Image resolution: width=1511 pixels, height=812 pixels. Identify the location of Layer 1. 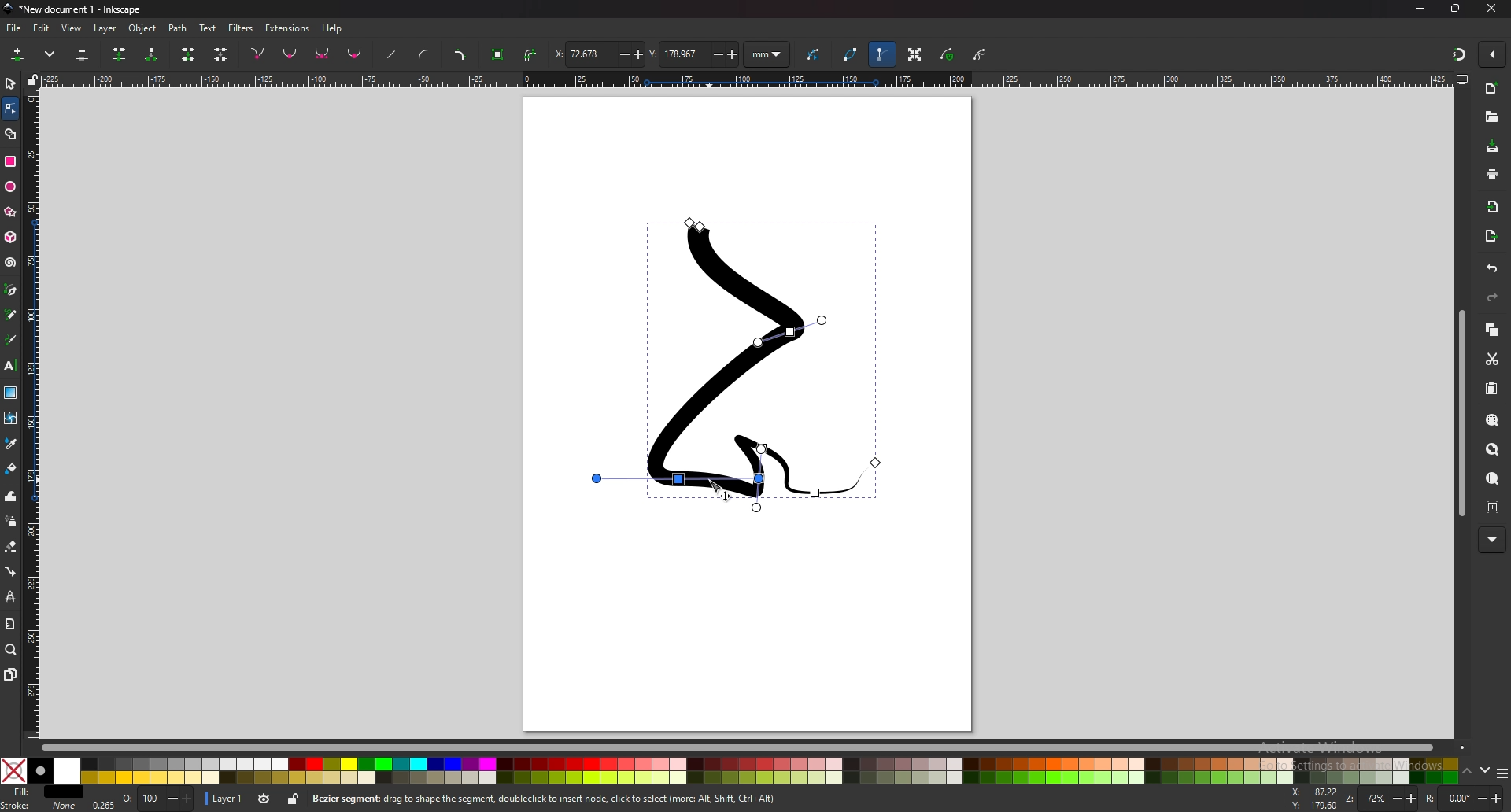
(238, 800).